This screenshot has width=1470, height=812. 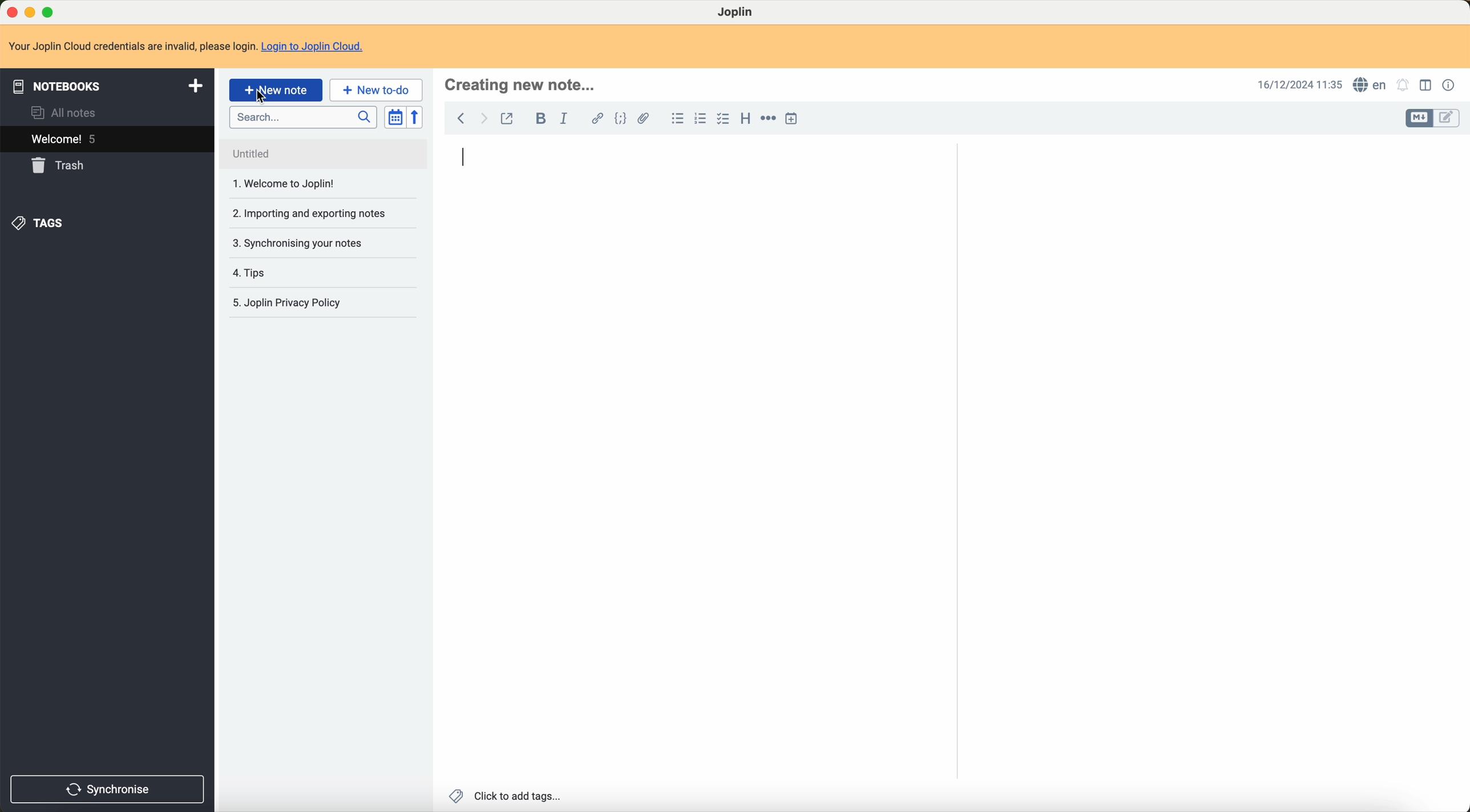 What do you see at coordinates (768, 118) in the screenshot?
I see `horizontal rule` at bounding box center [768, 118].